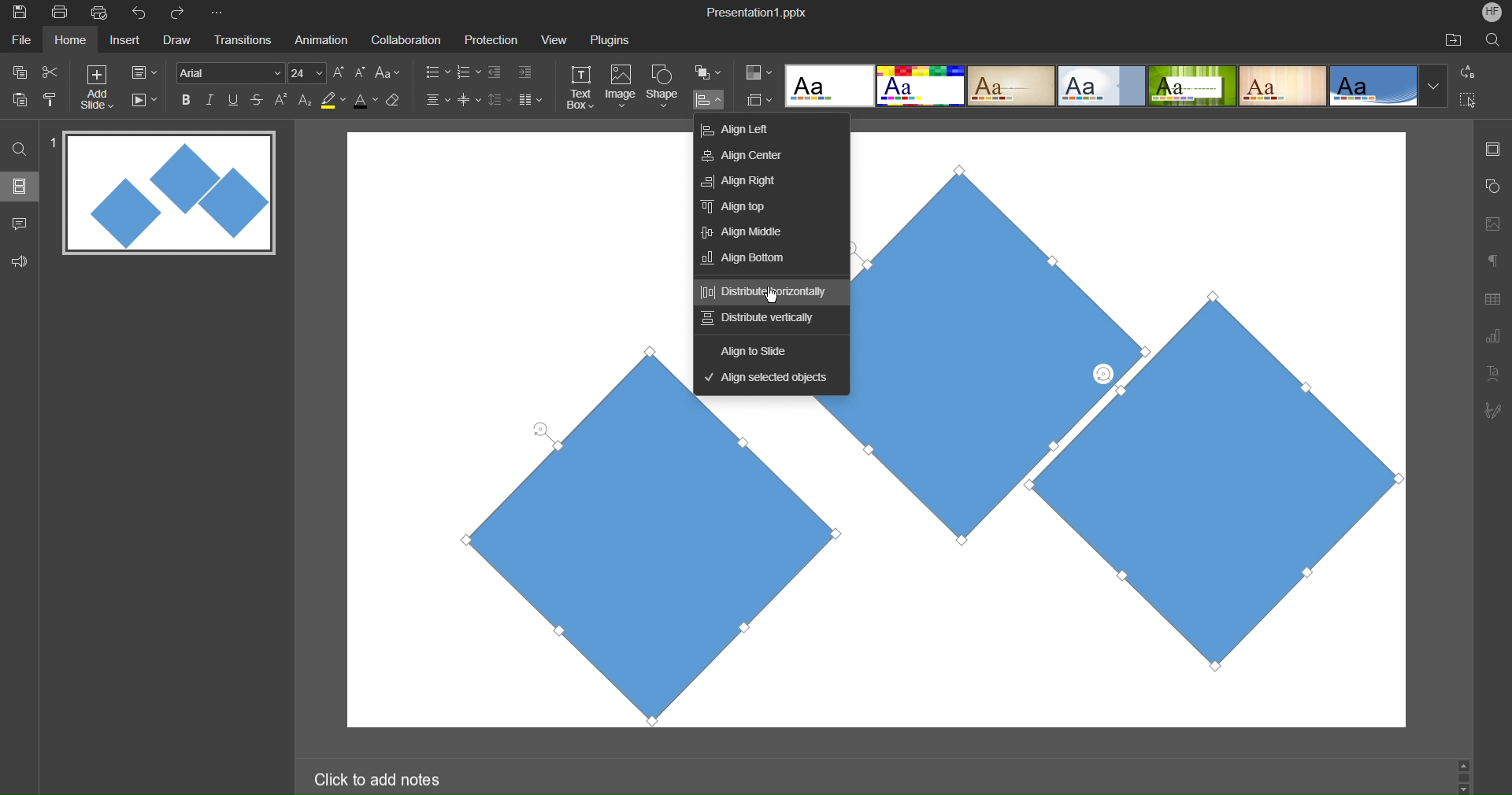 Image resolution: width=1512 pixels, height=795 pixels. Describe the element at coordinates (532, 99) in the screenshot. I see `Columns` at that location.